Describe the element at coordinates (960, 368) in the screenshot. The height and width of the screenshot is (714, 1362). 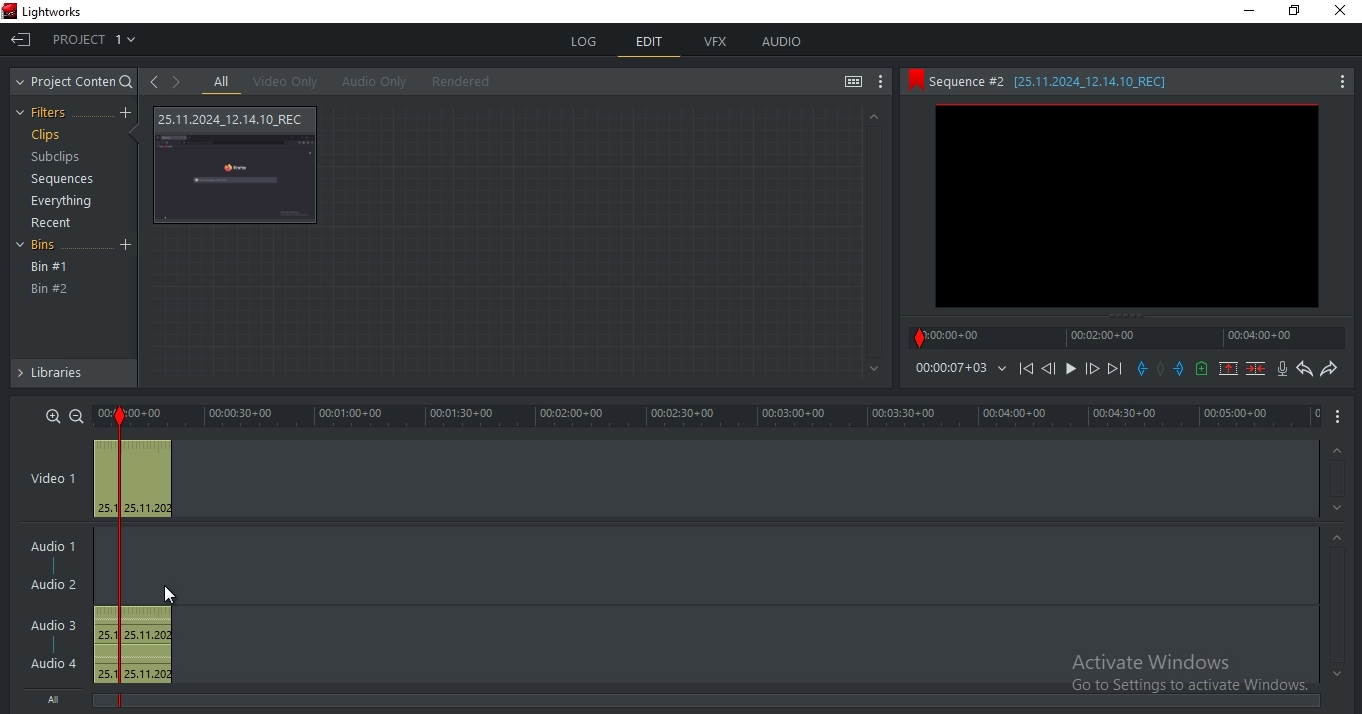
I see `time` at that location.